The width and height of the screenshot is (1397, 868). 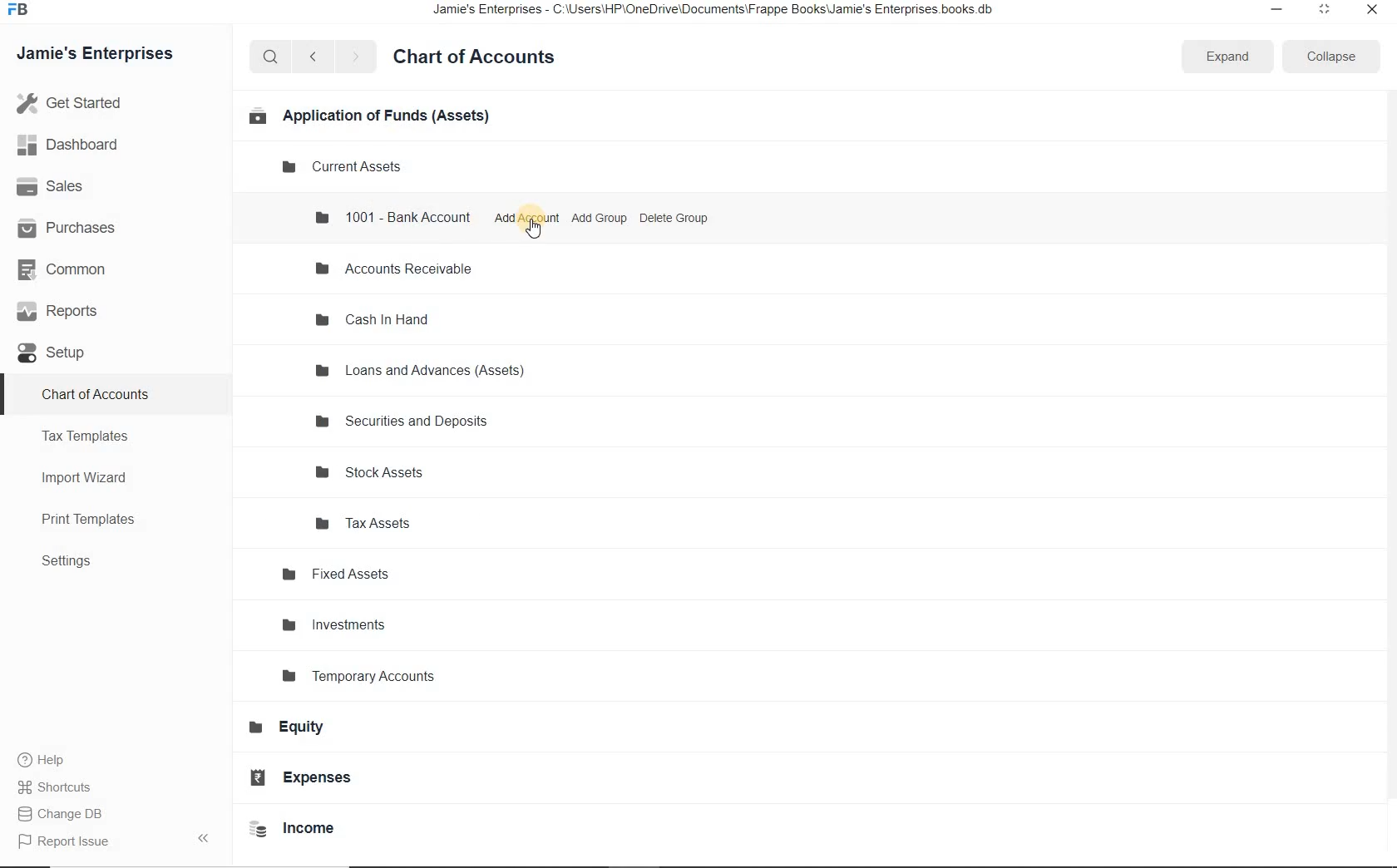 What do you see at coordinates (75, 227) in the screenshot?
I see `Purchases` at bounding box center [75, 227].